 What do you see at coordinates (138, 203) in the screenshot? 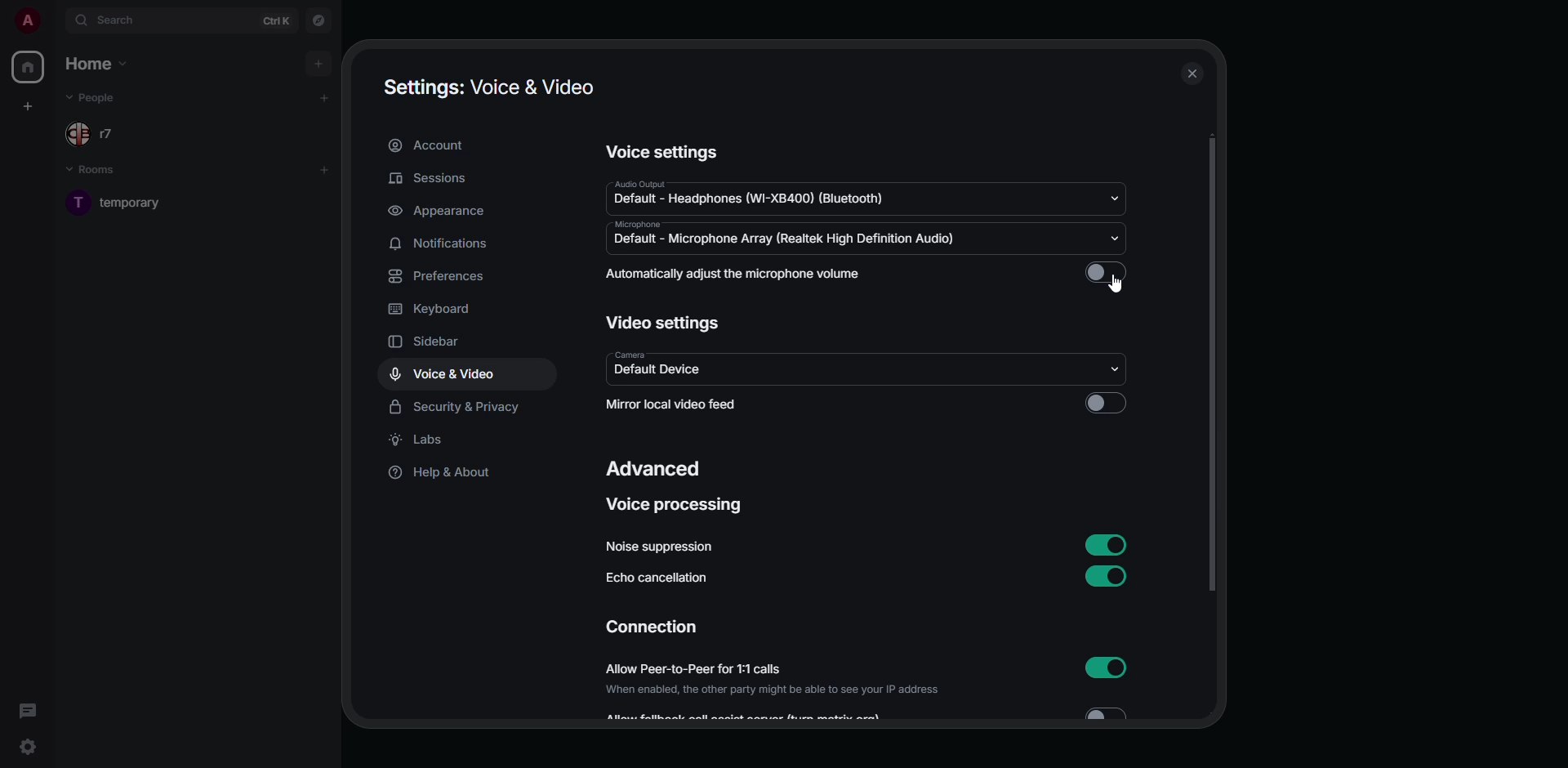
I see `room` at bounding box center [138, 203].